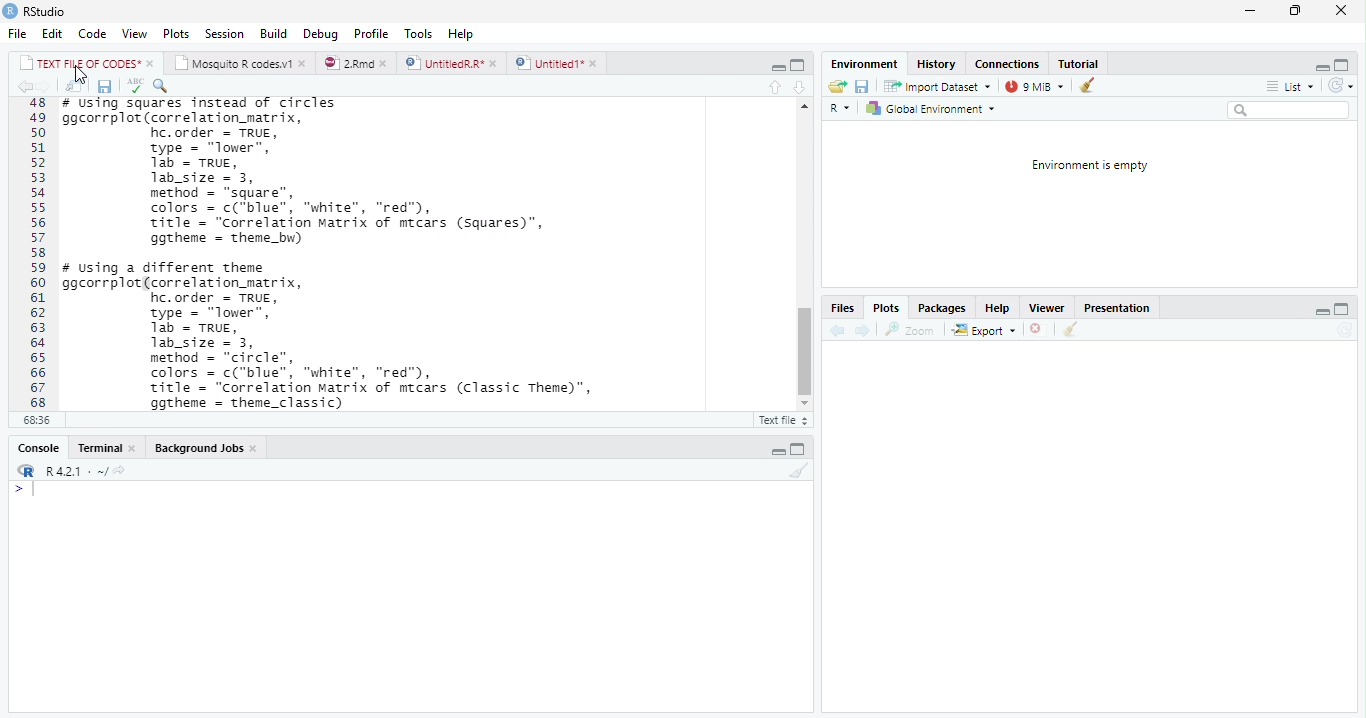  I want to click on go back to the previous source location, so click(28, 88).